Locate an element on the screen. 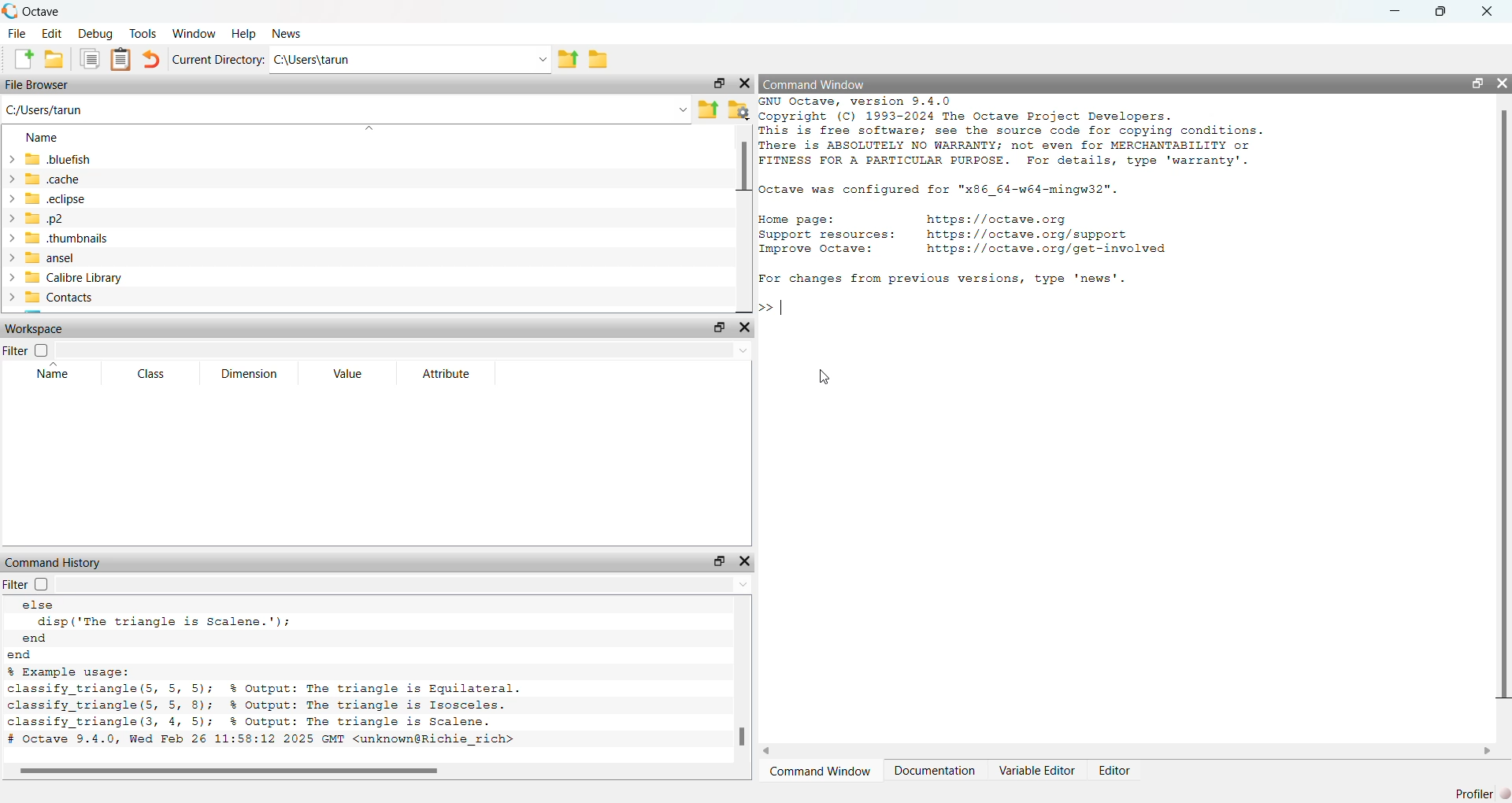 The width and height of the screenshot is (1512, 803). help is located at coordinates (244, 33).